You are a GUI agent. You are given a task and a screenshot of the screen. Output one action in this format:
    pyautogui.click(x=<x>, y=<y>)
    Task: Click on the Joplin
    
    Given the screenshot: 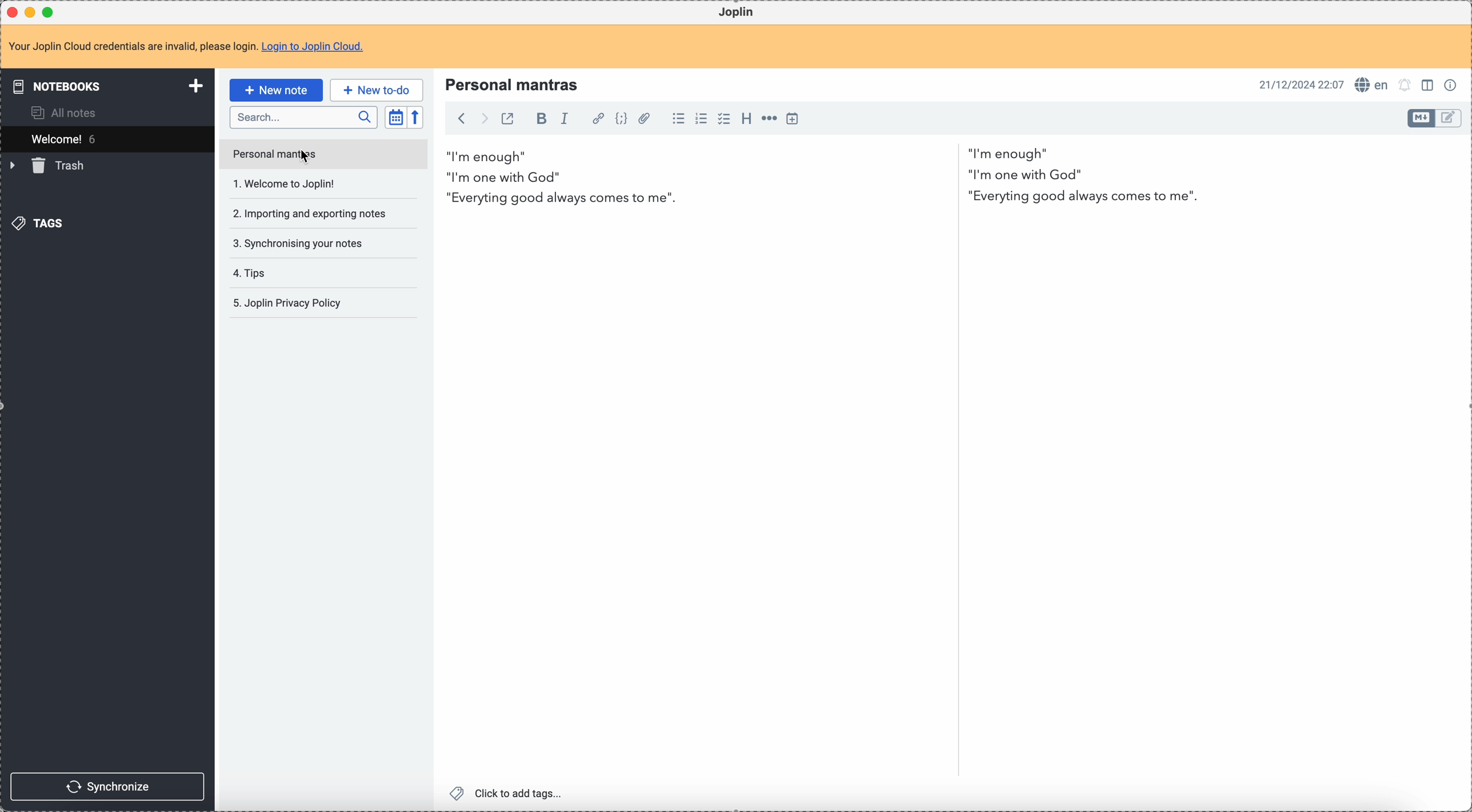 What is the action you would take?
    pyautogui.click(x=735, y=12)
    